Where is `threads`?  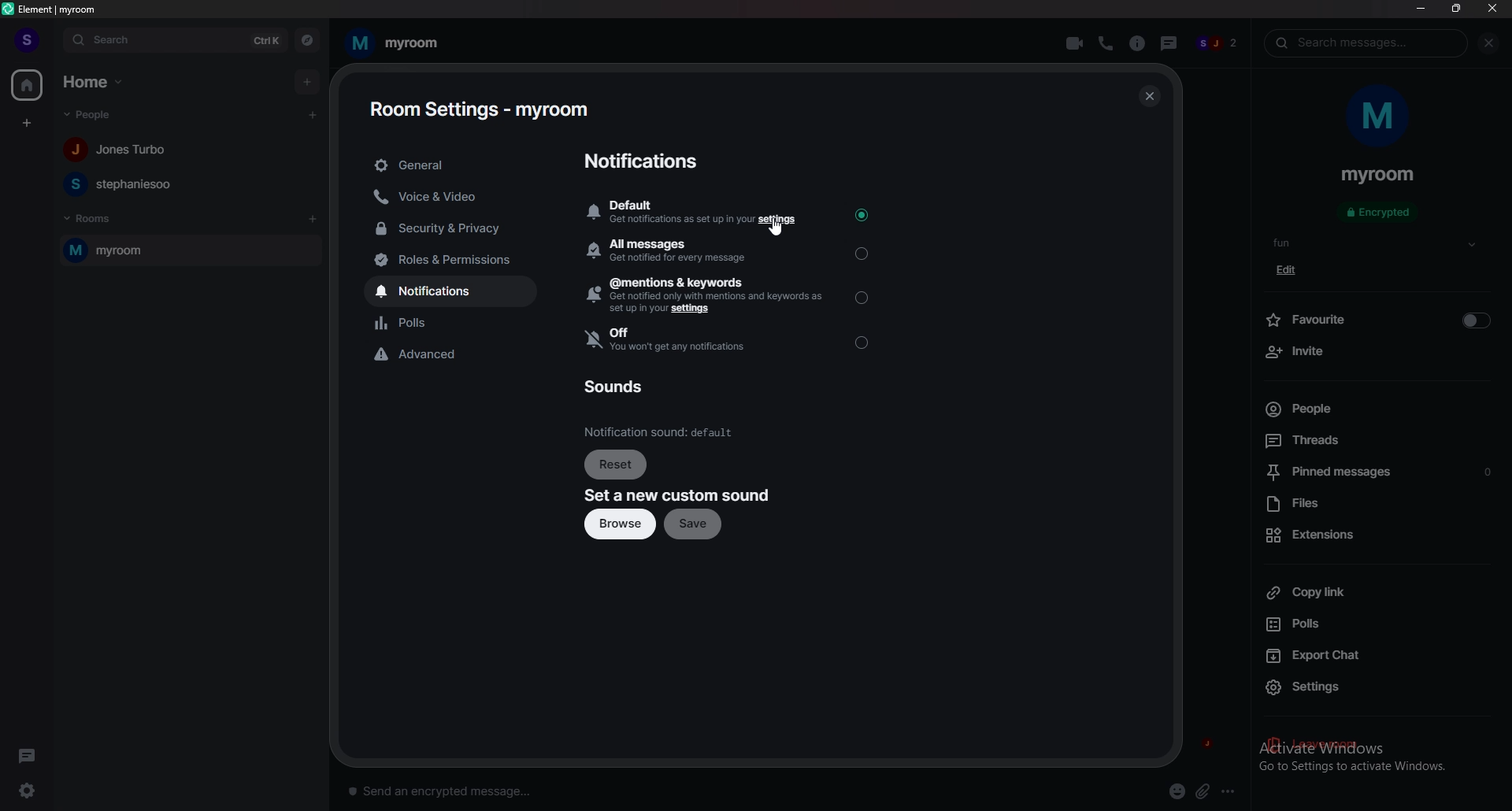
threads is located at coordinates (27, 754).